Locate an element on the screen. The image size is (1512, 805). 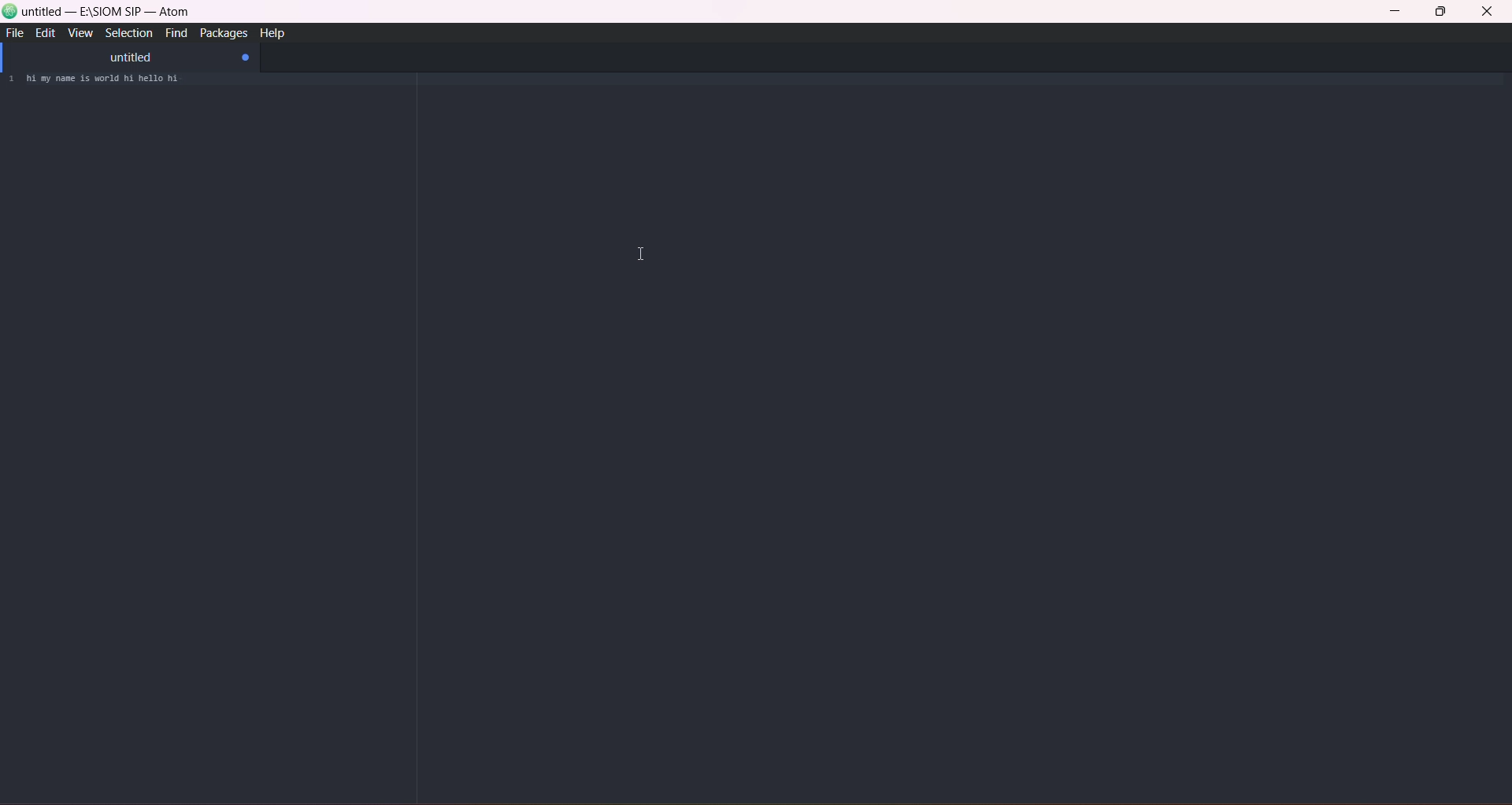
minimize is located at coordinates (1399, 13).